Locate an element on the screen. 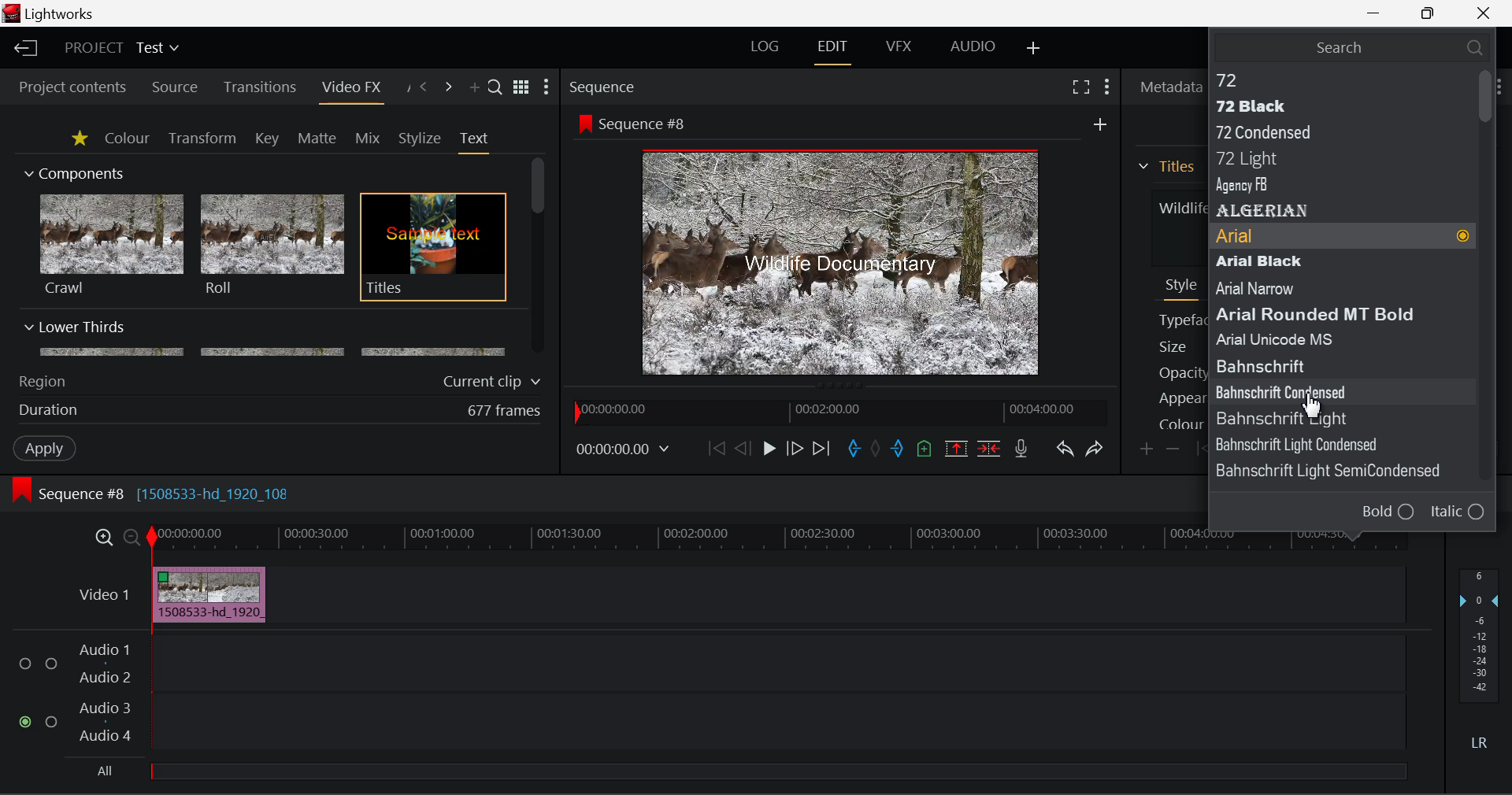 This screenshot has width=1512, height=795. Zoom Out Timeline is located at coordinates (132, 539).